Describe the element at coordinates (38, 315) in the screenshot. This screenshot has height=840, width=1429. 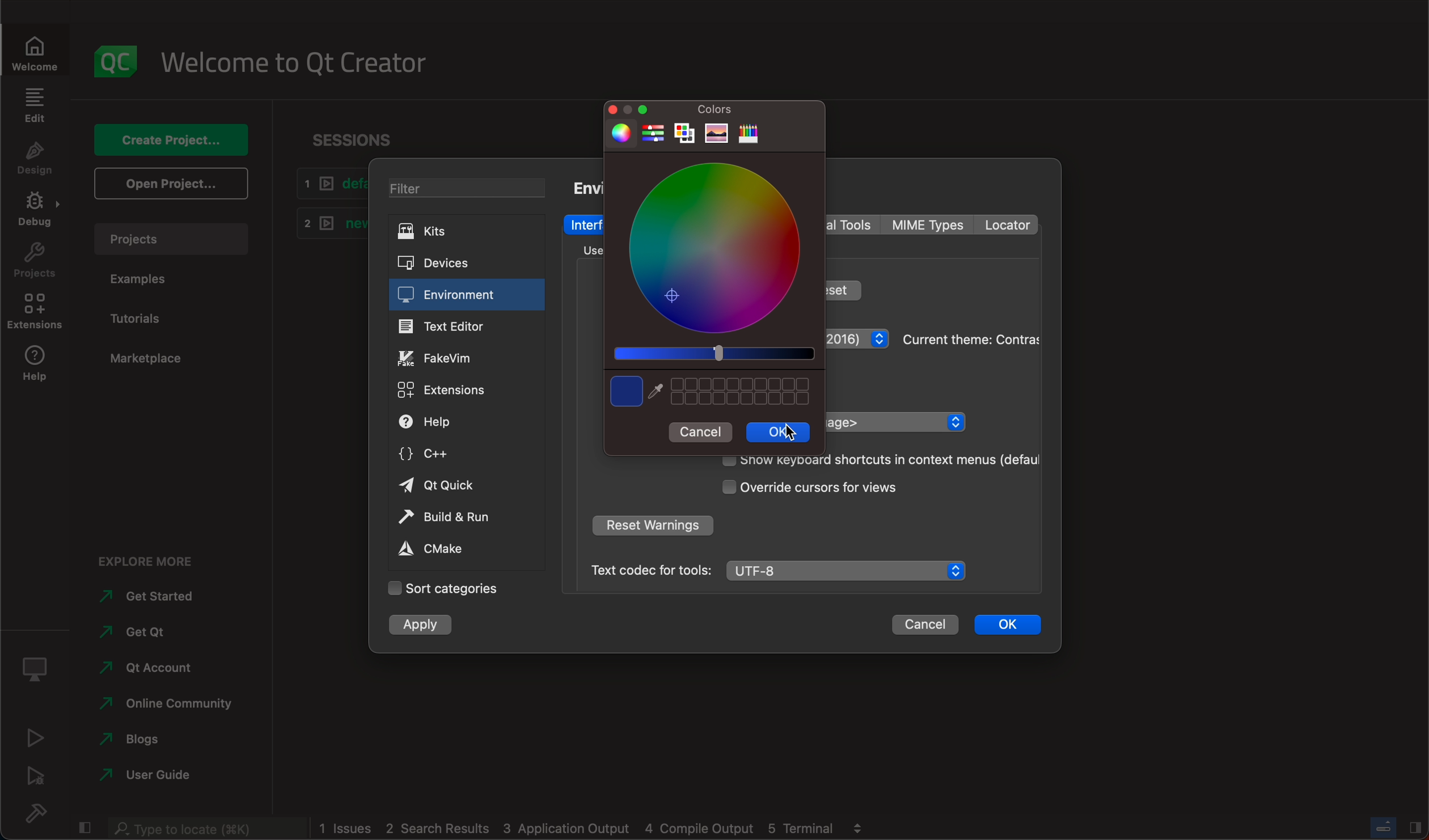
I see `extensions` at that location.